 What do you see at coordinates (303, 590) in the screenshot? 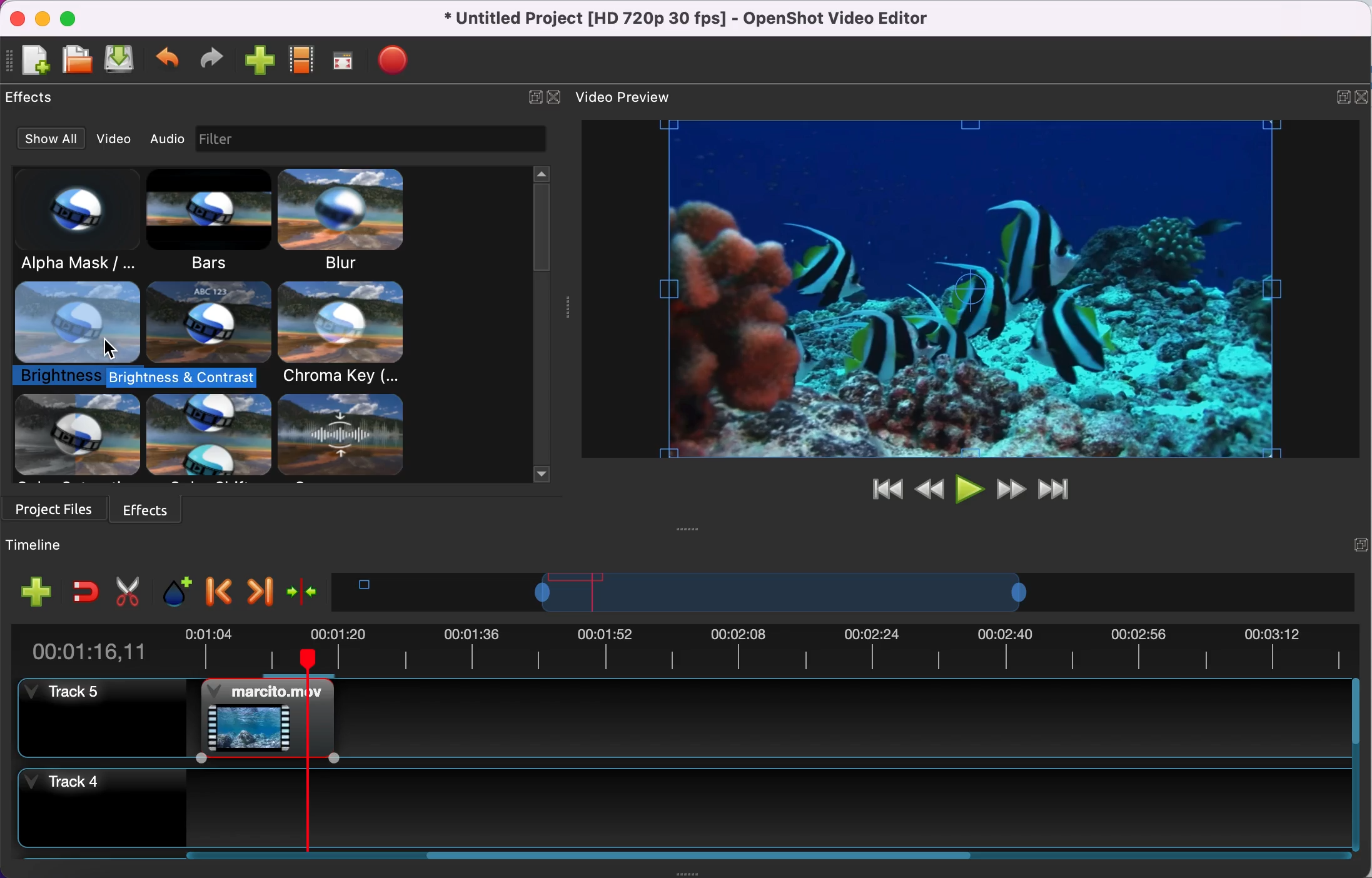
I see `center the timeline` at bounding box center [303, 590].